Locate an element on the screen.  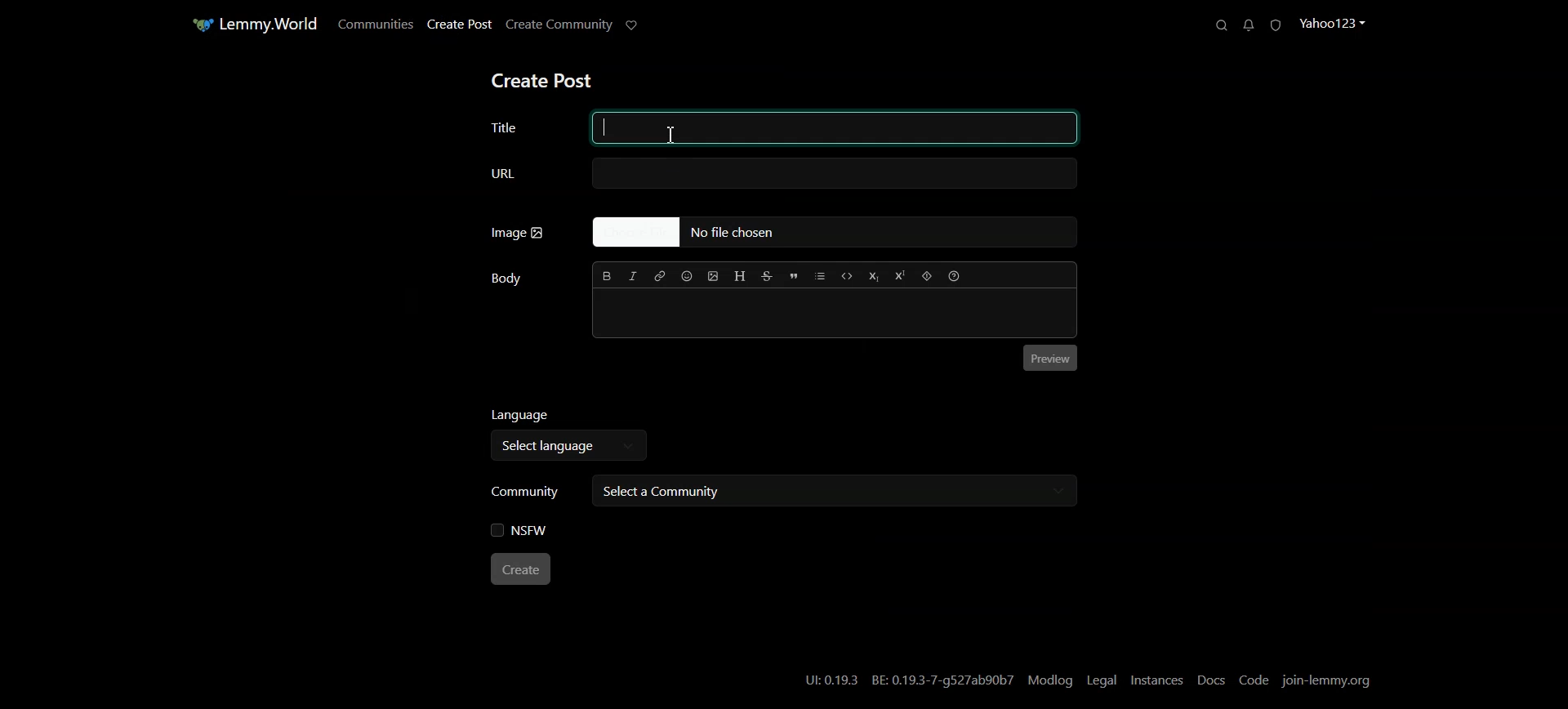
Home Page is located at coordinates (251, 25).